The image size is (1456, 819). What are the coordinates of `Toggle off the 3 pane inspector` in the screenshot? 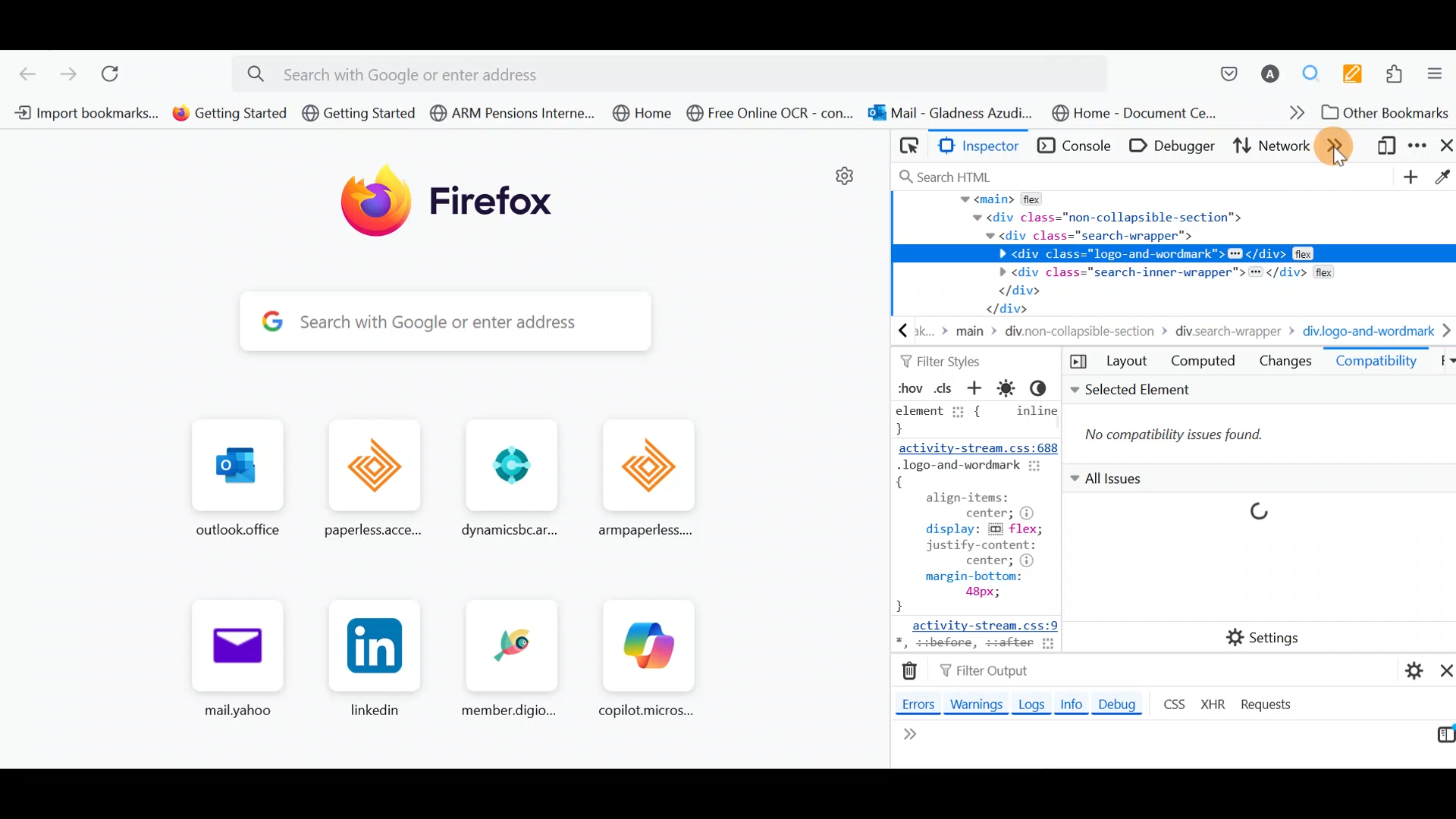 It's located at (1075, 362).